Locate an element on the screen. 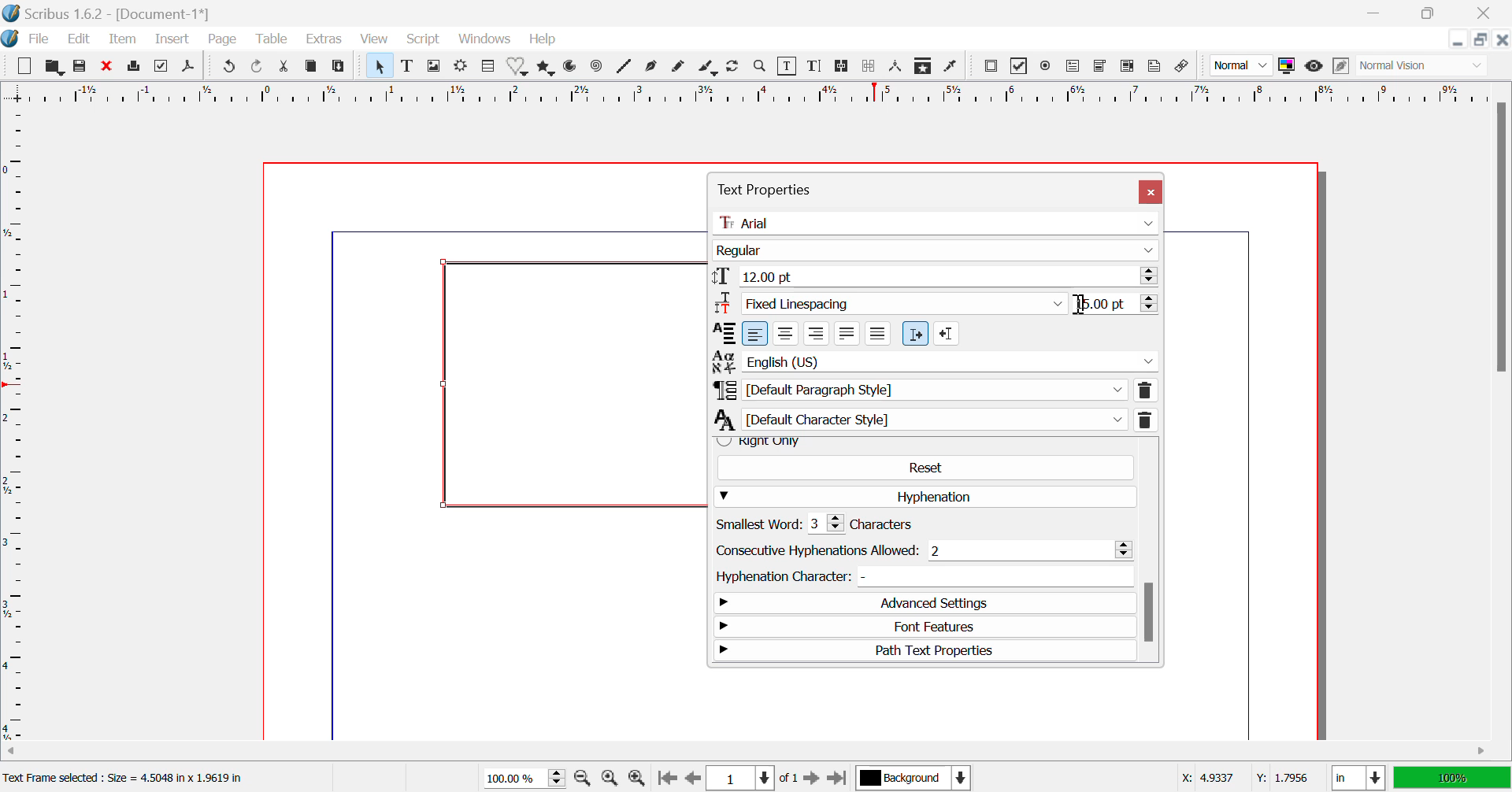 This screenshot has height=792, width=1512. Zoom In is located at coordinates (636, 779).